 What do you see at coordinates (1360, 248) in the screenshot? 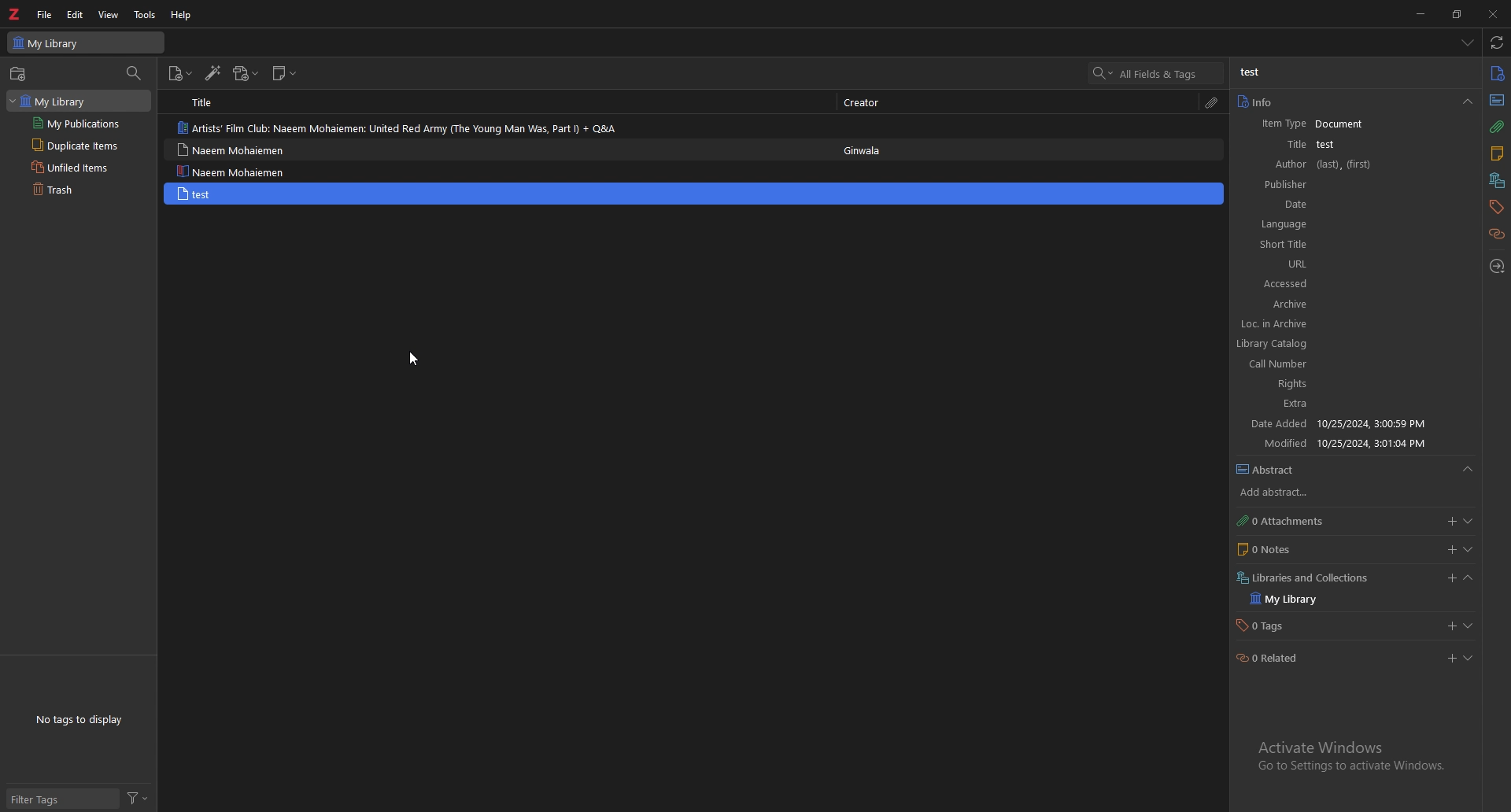
I see `short title input` at bounding box center [1360, 248].